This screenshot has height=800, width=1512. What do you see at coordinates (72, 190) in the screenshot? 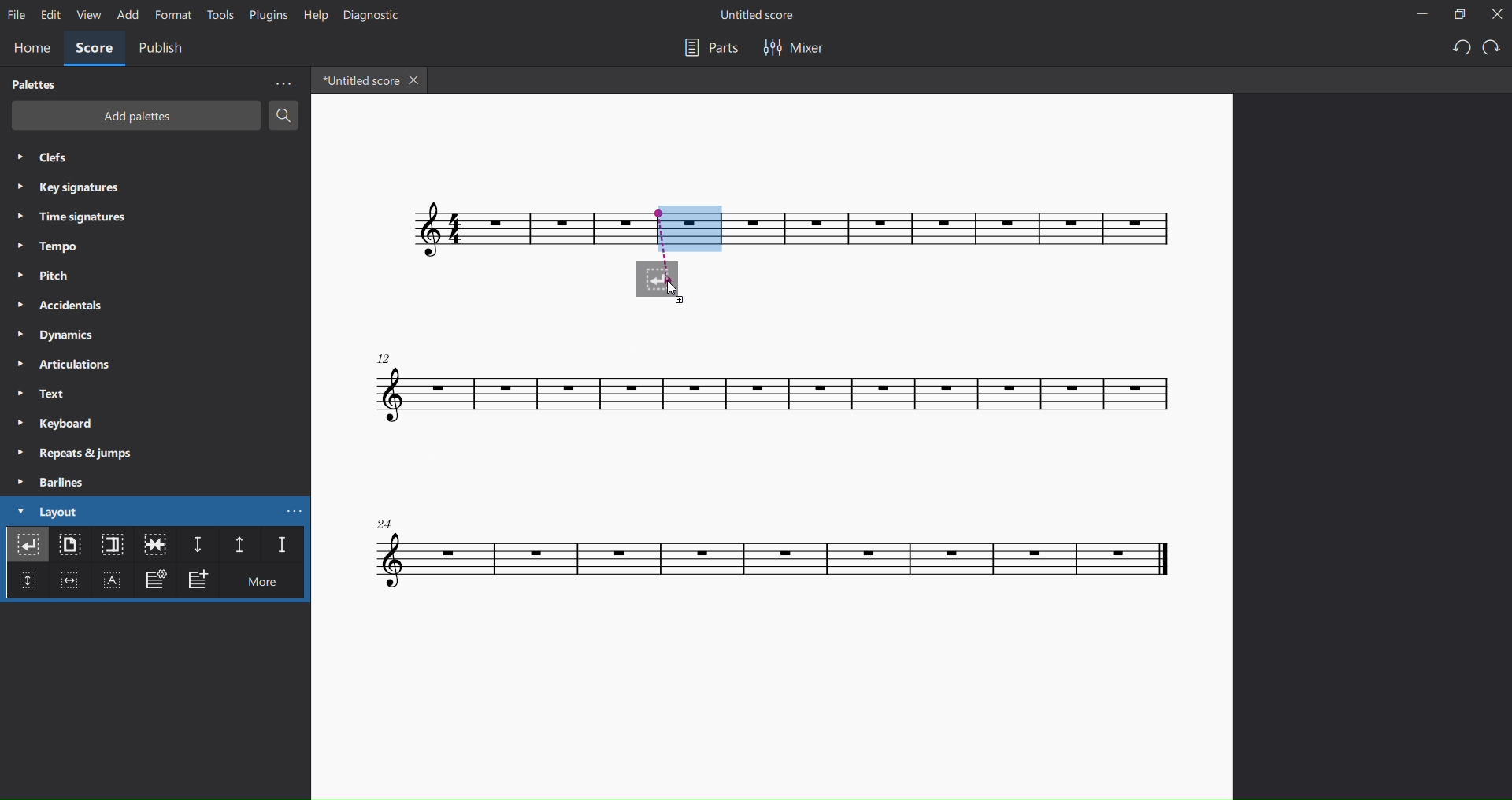
I see `key signatures` at bounding box center [72, 190].